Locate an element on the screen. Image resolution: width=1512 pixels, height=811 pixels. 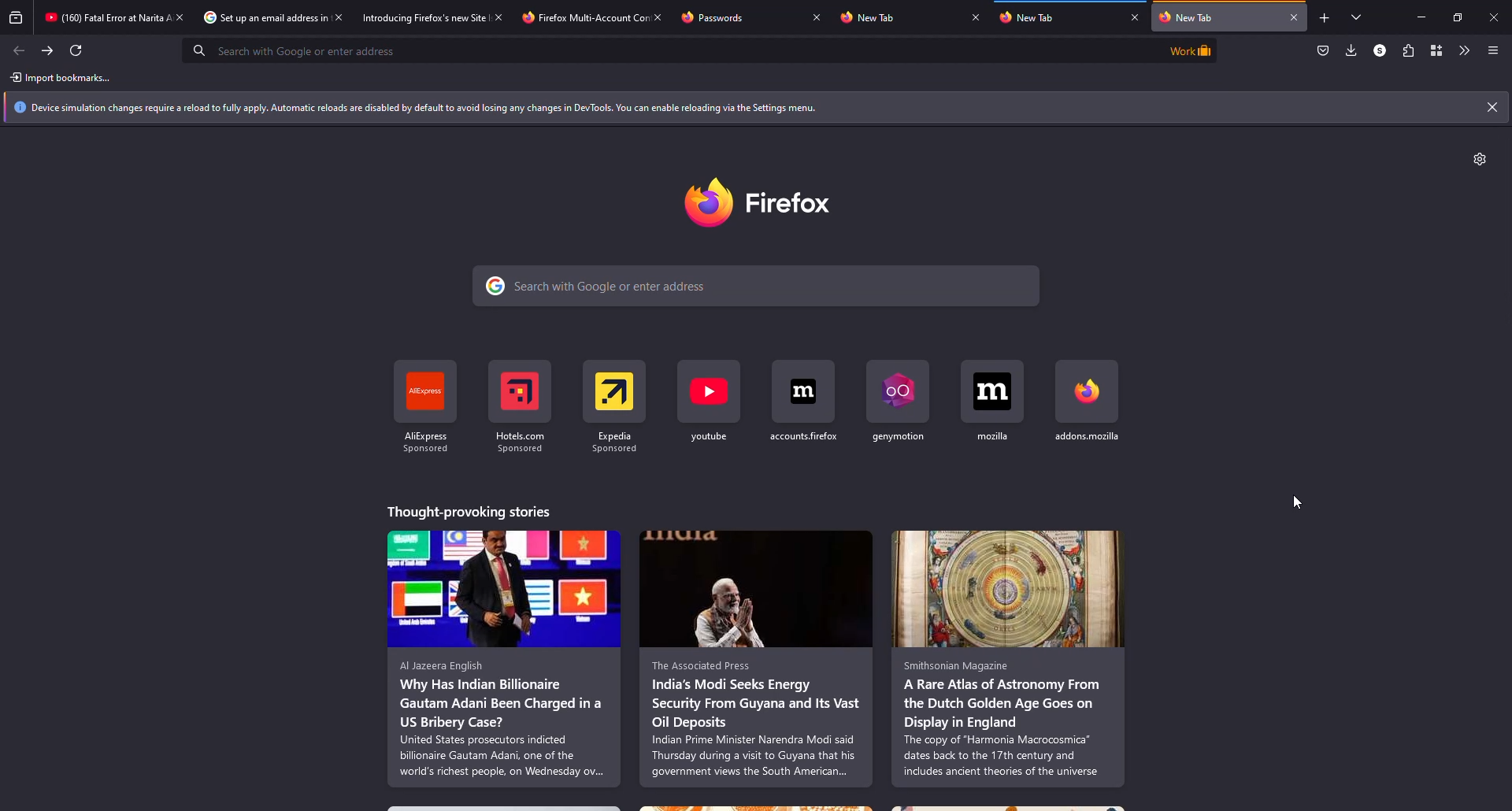
story banner is located at coordinates (1008, 590).